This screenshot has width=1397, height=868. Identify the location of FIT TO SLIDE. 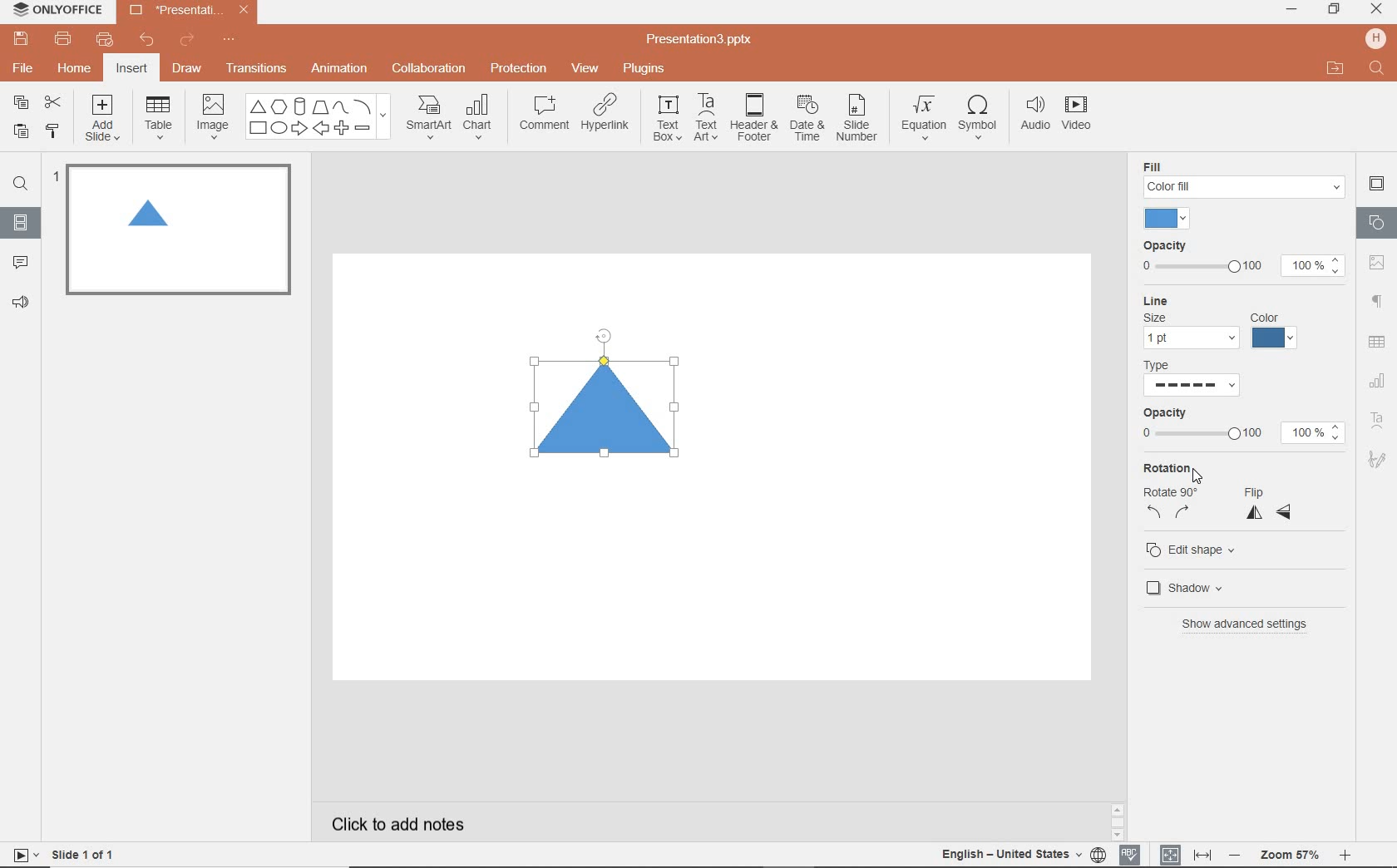
(1169, 856).